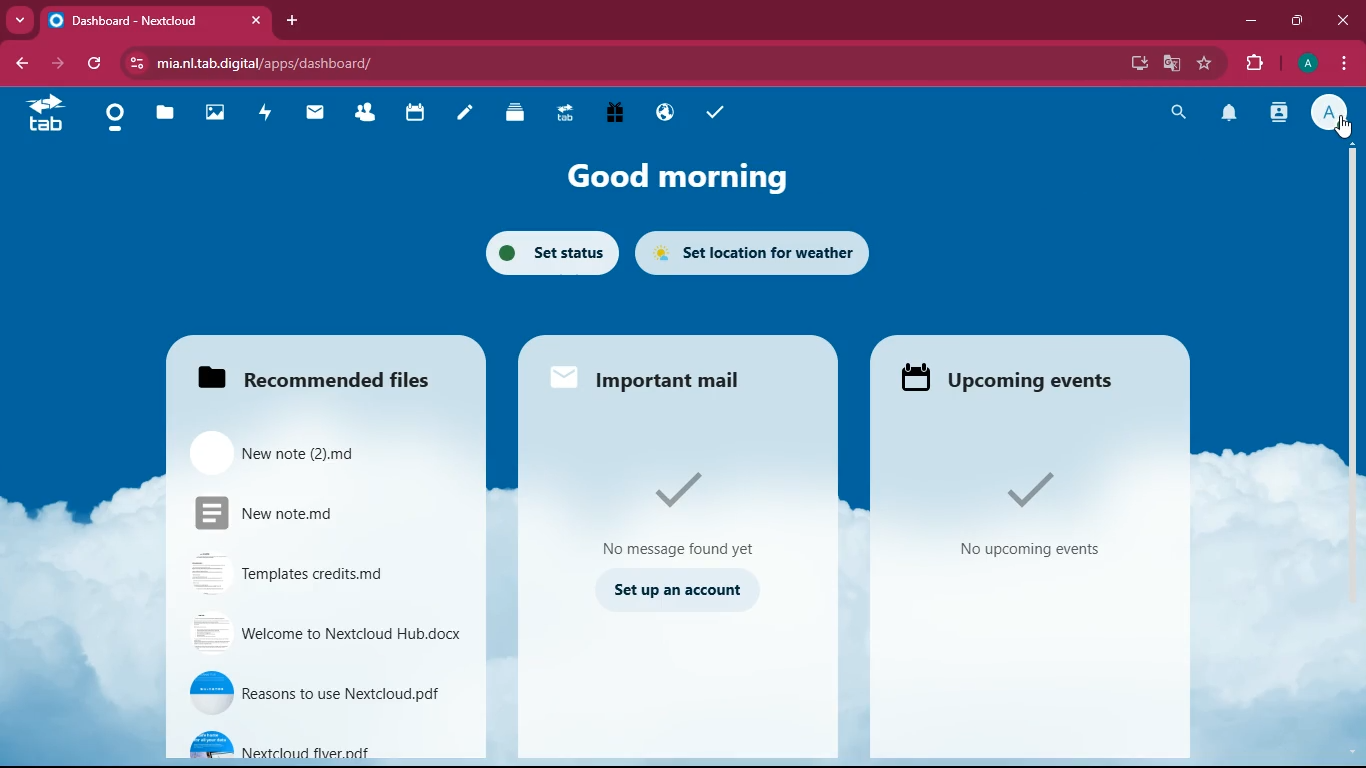 The image size is (1366, 768). I want to click on google translate, so click(1170, 64).